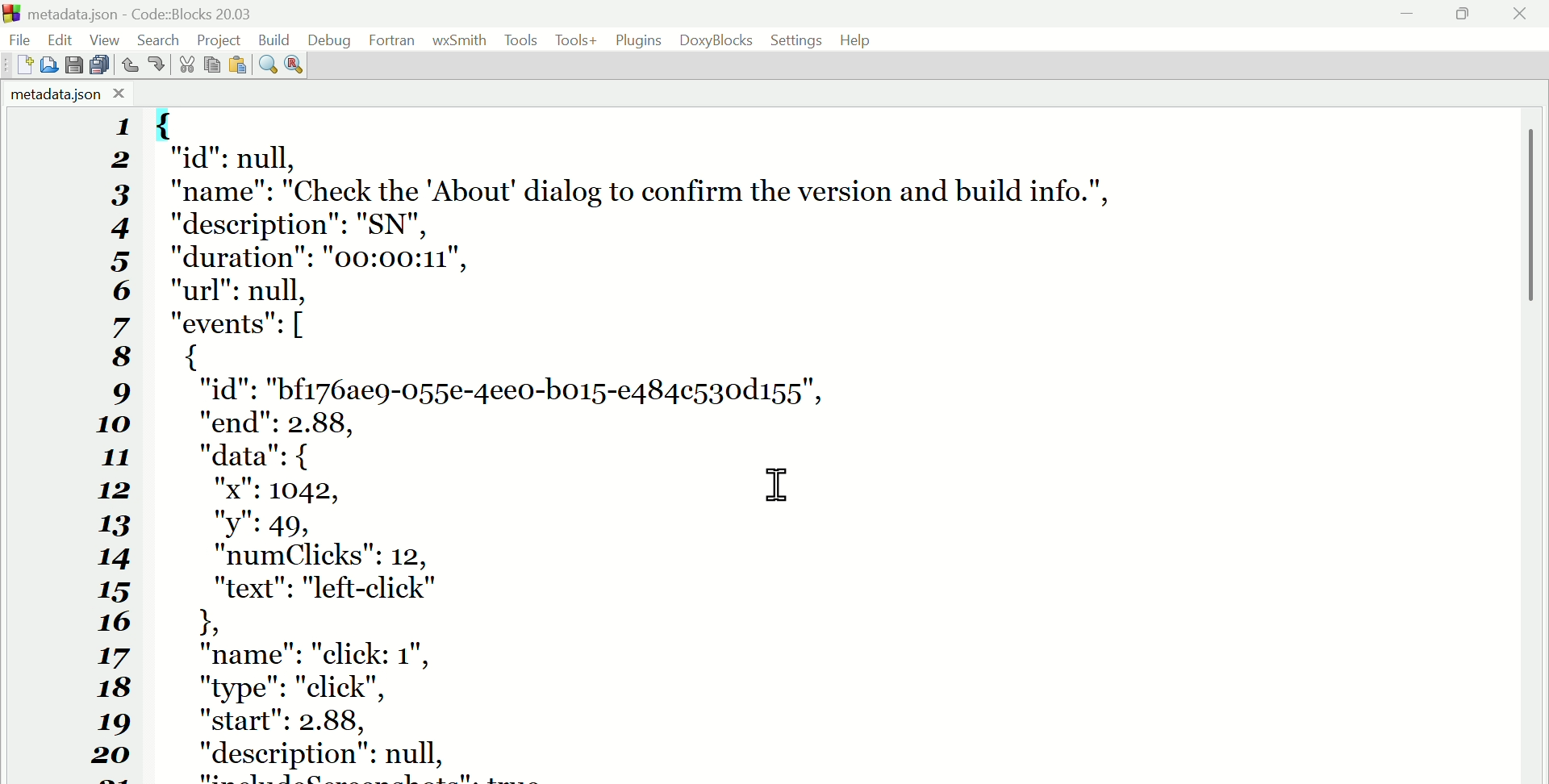  Describe the element at coordinates (274, 38) in the screenshot. I see `Build` at that location.